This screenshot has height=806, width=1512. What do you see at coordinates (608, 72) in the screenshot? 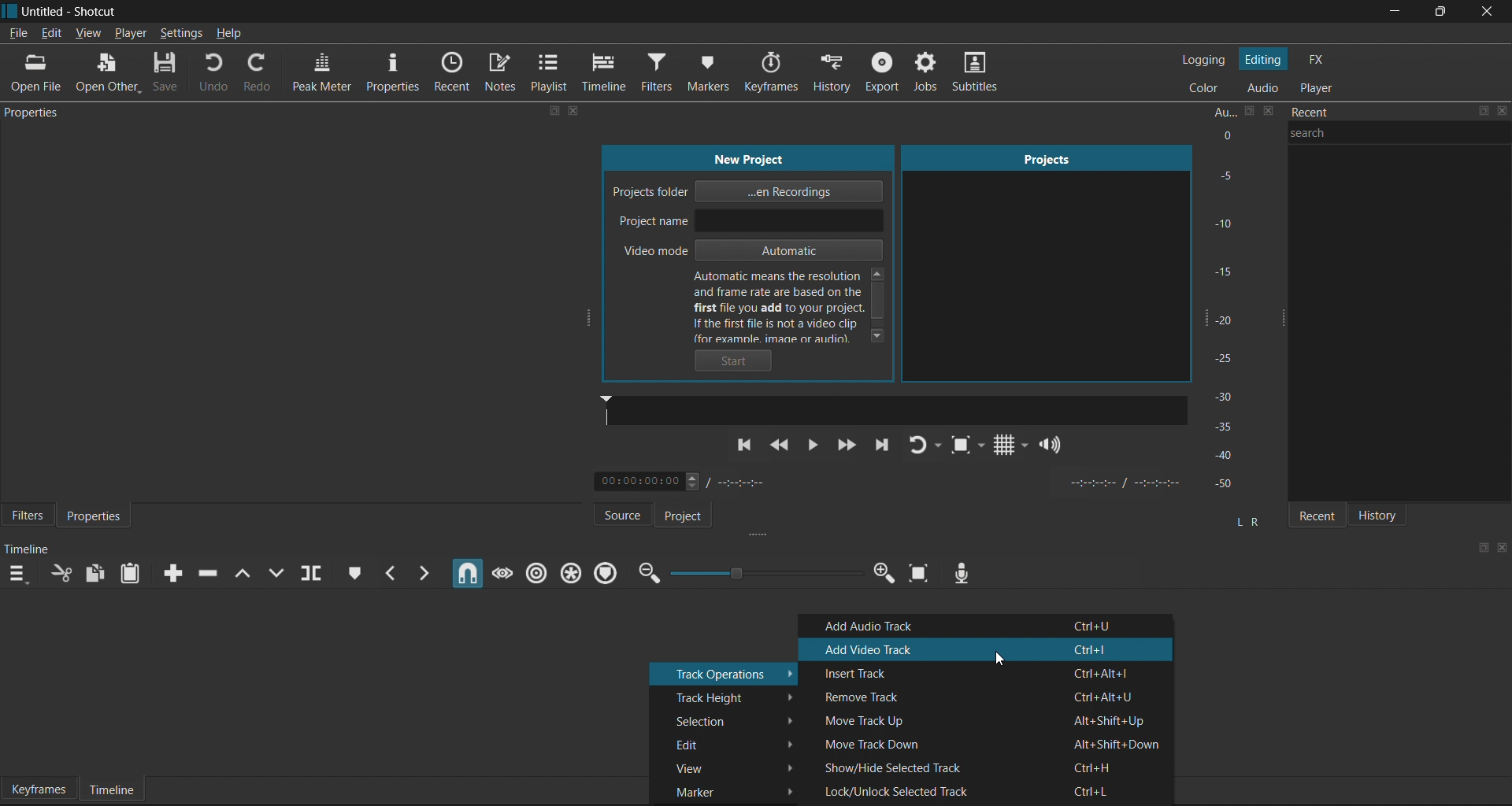
I see `Timeline` at bounding box center [608, 72].